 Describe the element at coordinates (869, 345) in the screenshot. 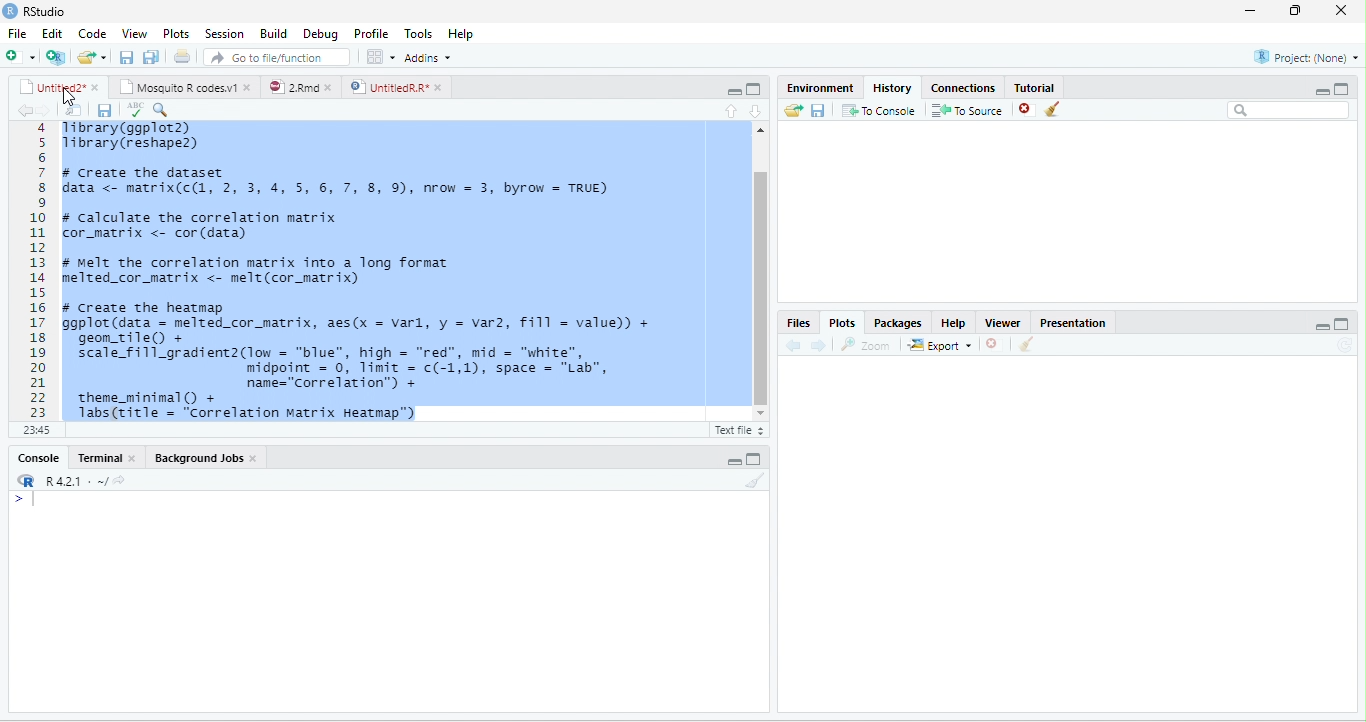

I see `zoom` at that location.